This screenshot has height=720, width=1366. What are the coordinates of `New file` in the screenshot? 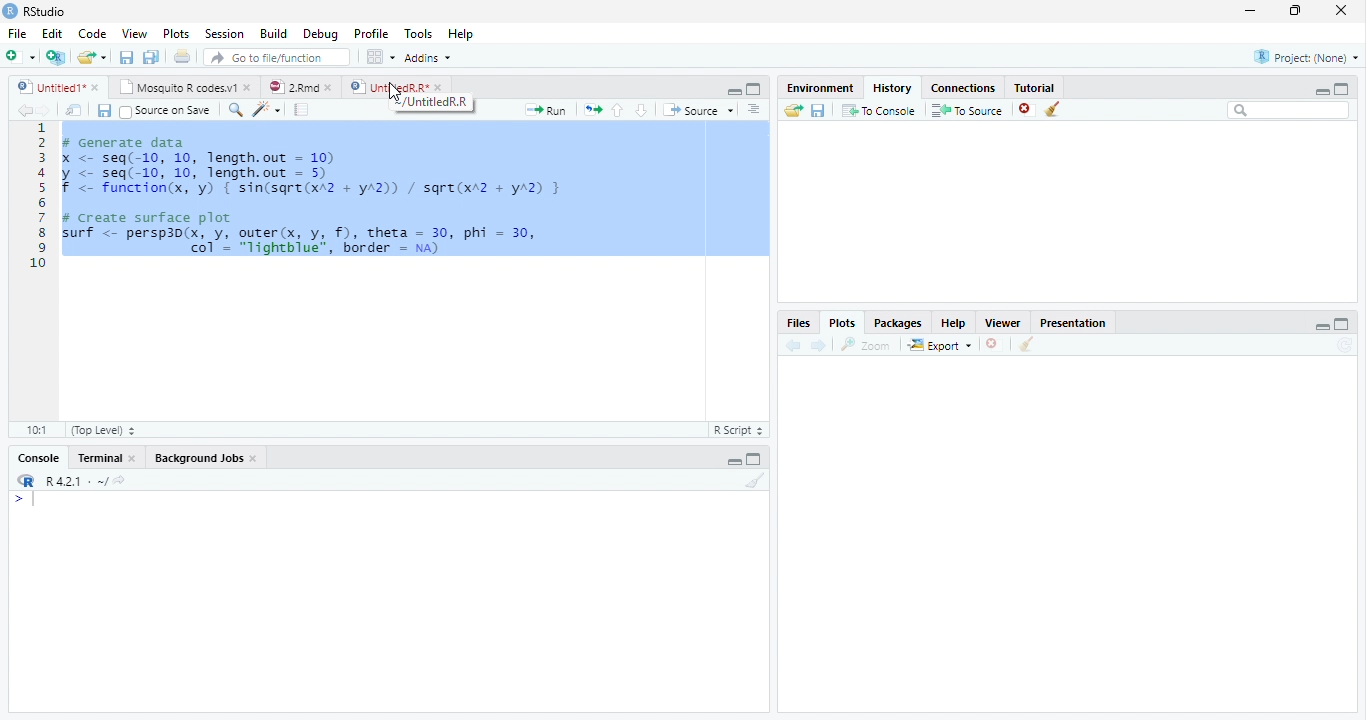 It's located at (19, 57).